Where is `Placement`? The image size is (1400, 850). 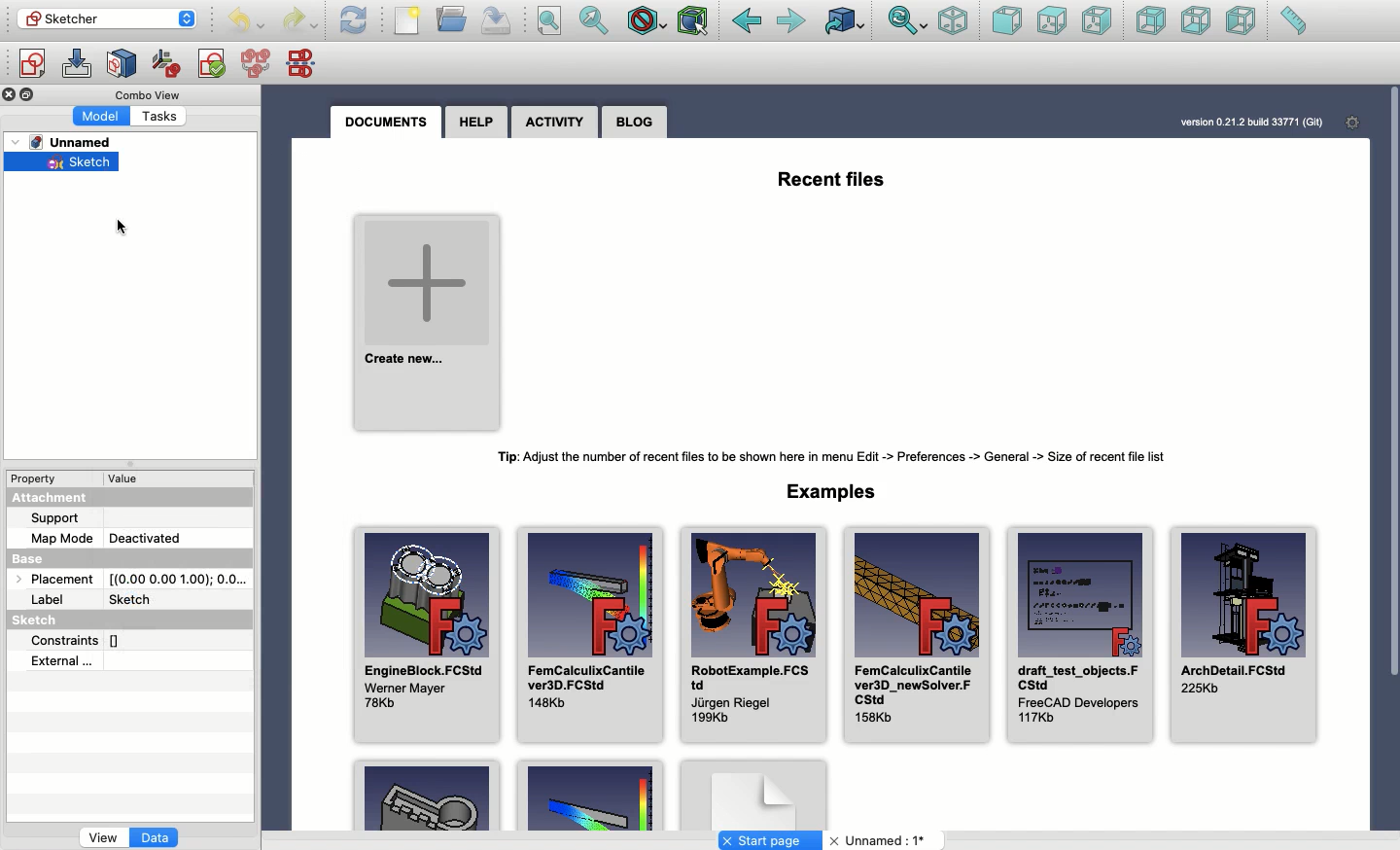
Placement is located at coordinates (51, 578).